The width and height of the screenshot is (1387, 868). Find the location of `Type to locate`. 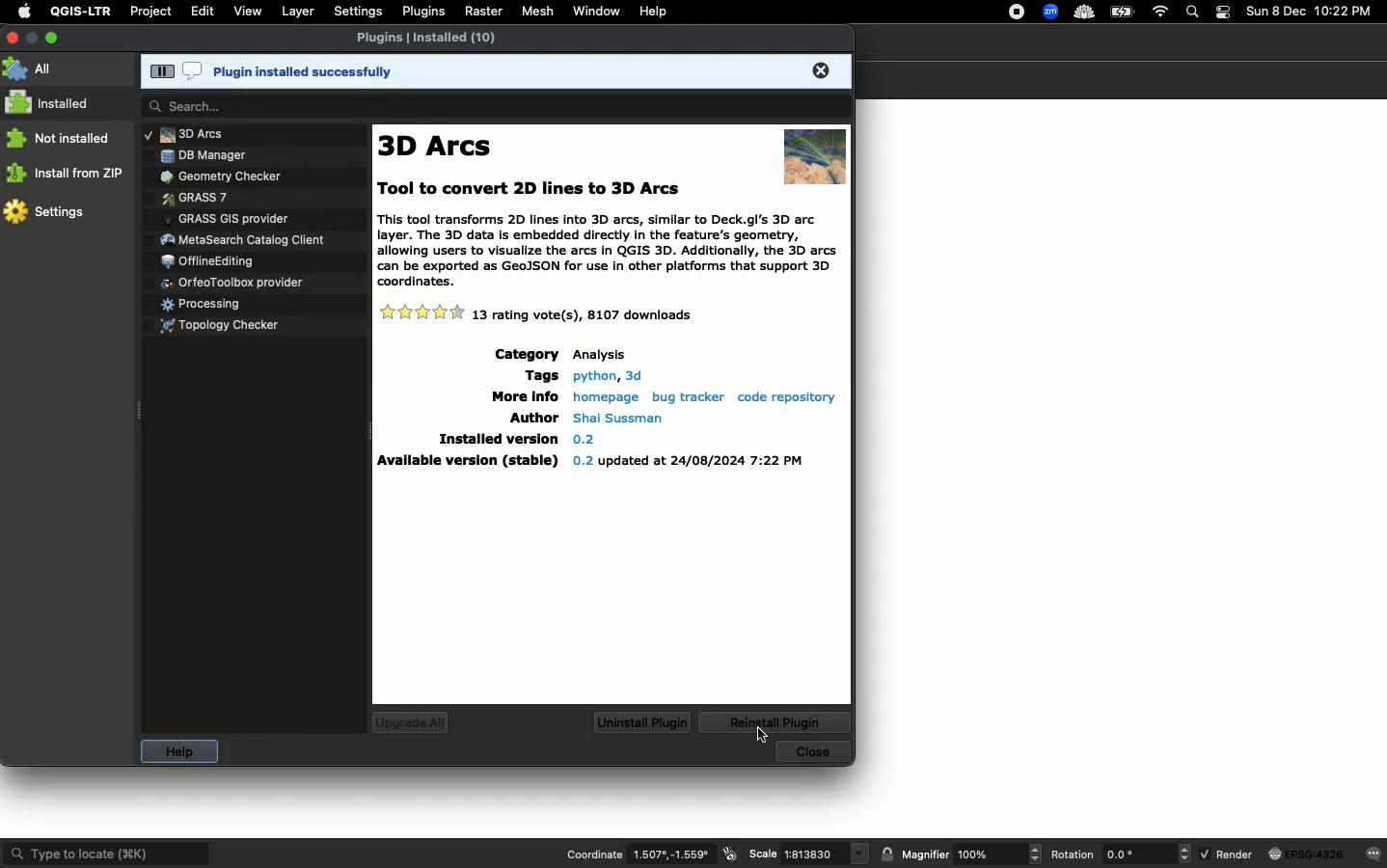

Type to locate is located at coordinates (107, 853).